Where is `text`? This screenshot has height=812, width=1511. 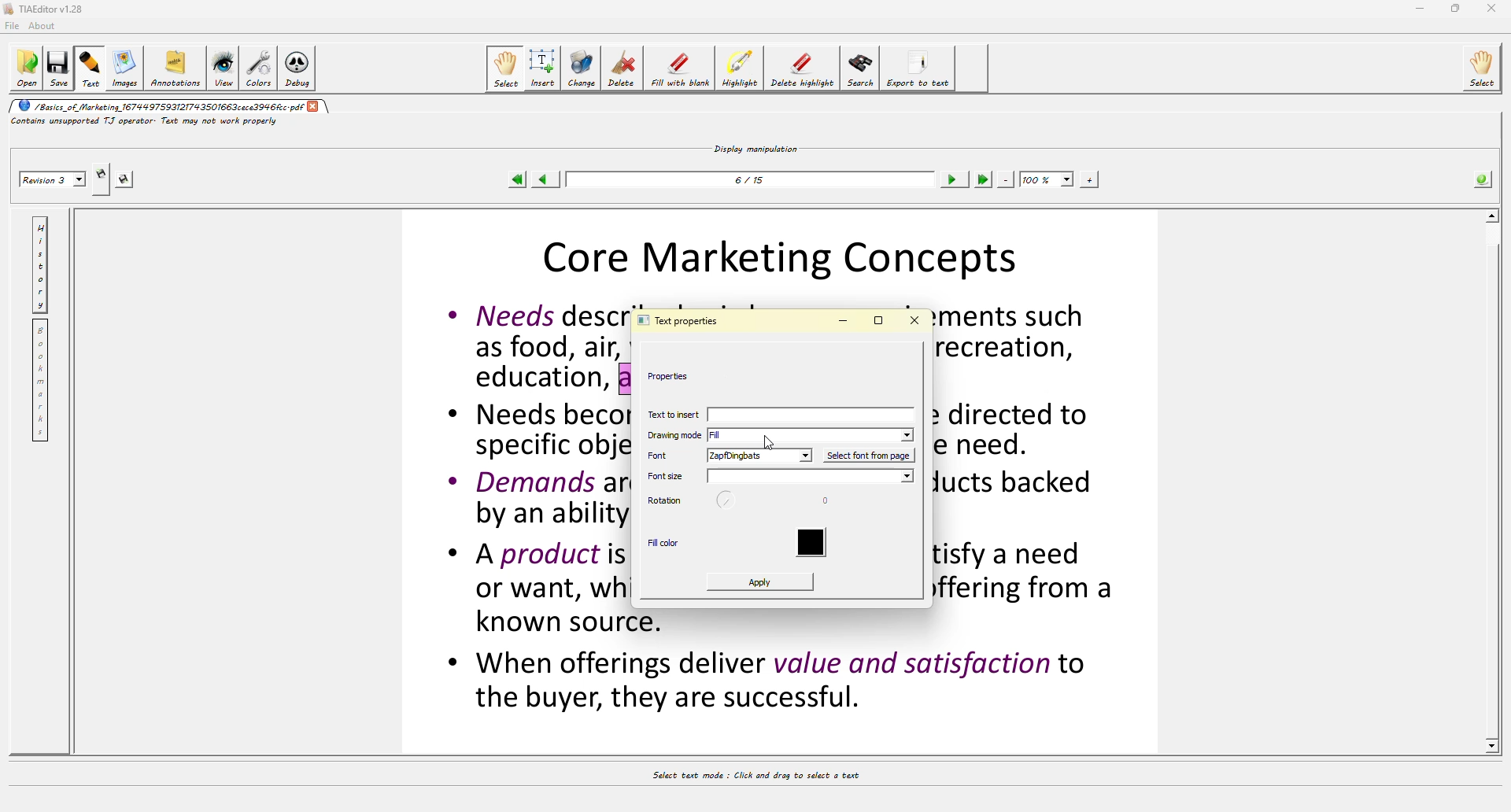 text is located at coordinates (91, 68).